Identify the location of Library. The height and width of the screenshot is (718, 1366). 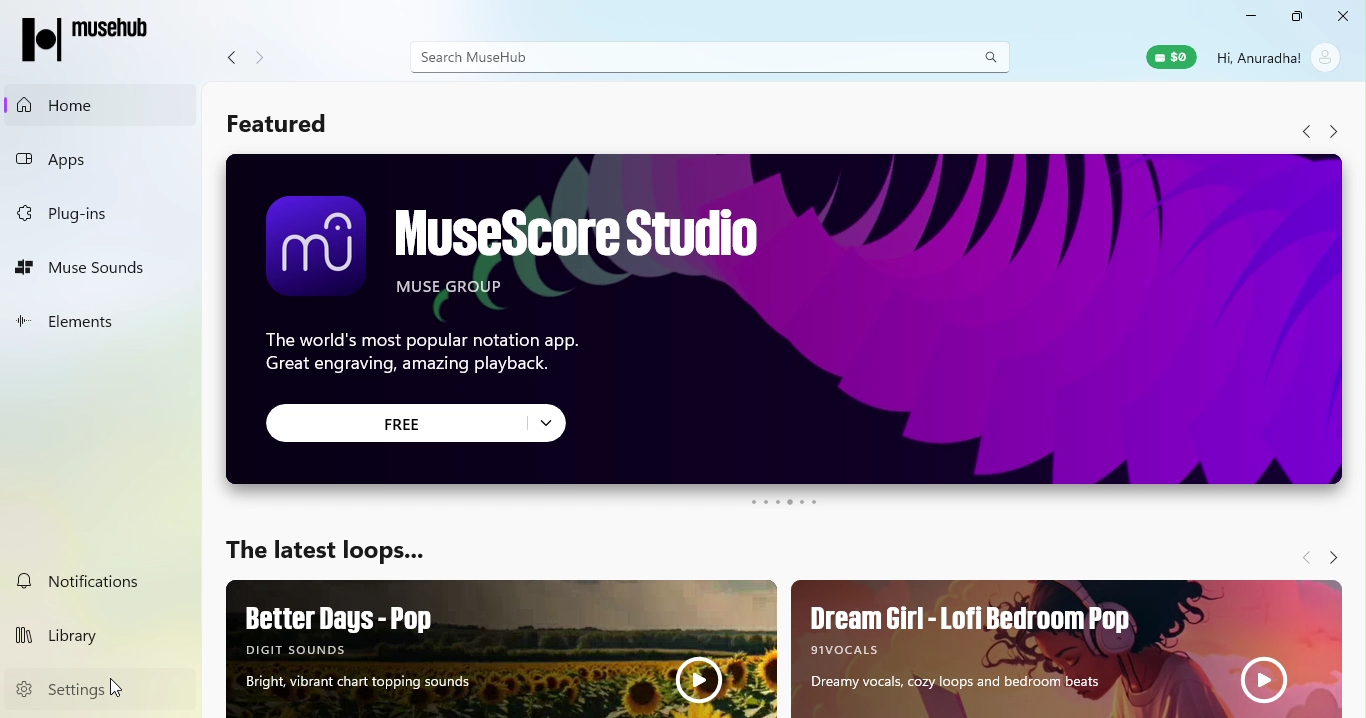
(104, 633).